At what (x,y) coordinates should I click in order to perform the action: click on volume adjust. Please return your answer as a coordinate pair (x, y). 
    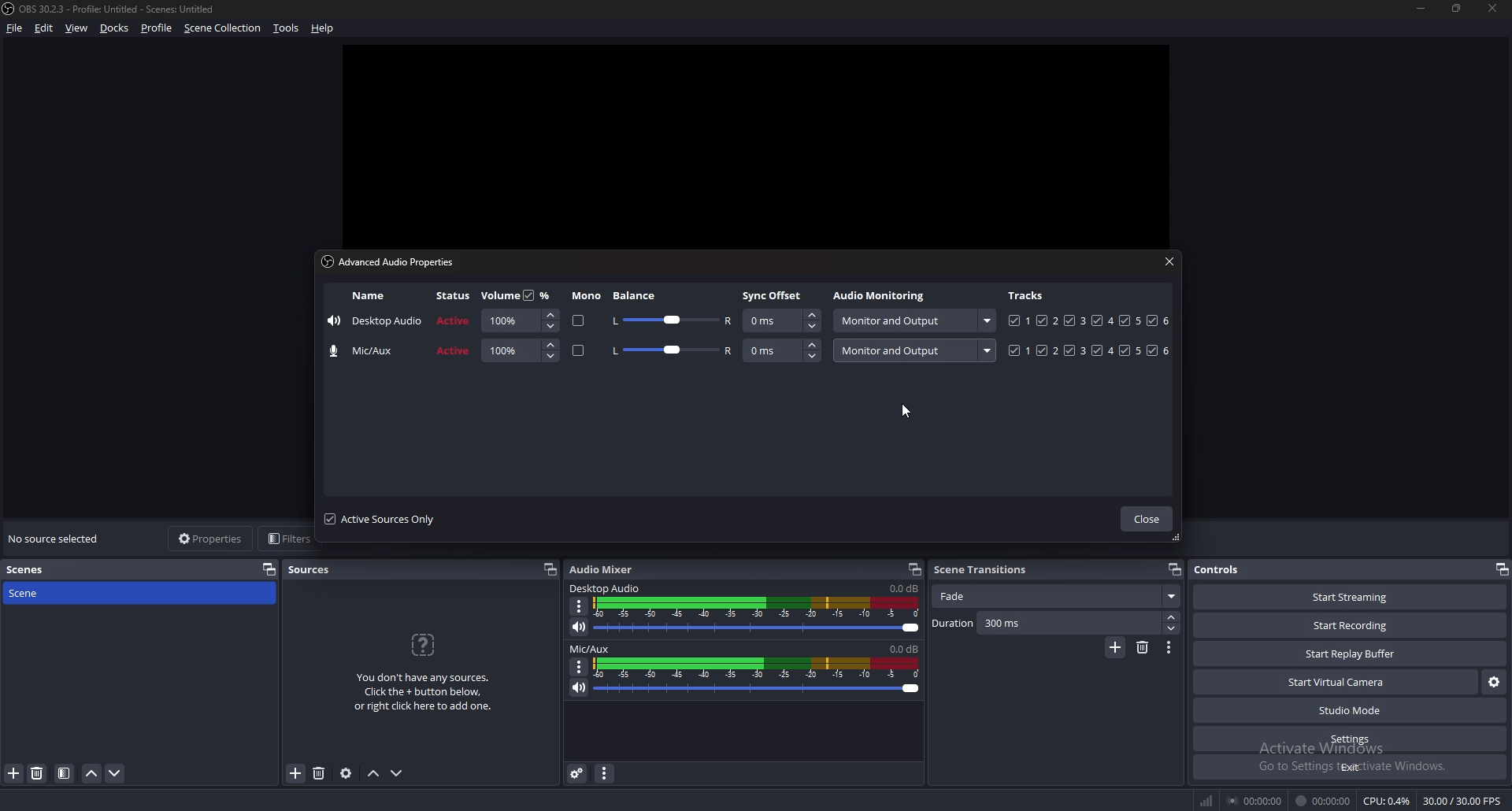
    Looking at the image, I should click on (519, 320).